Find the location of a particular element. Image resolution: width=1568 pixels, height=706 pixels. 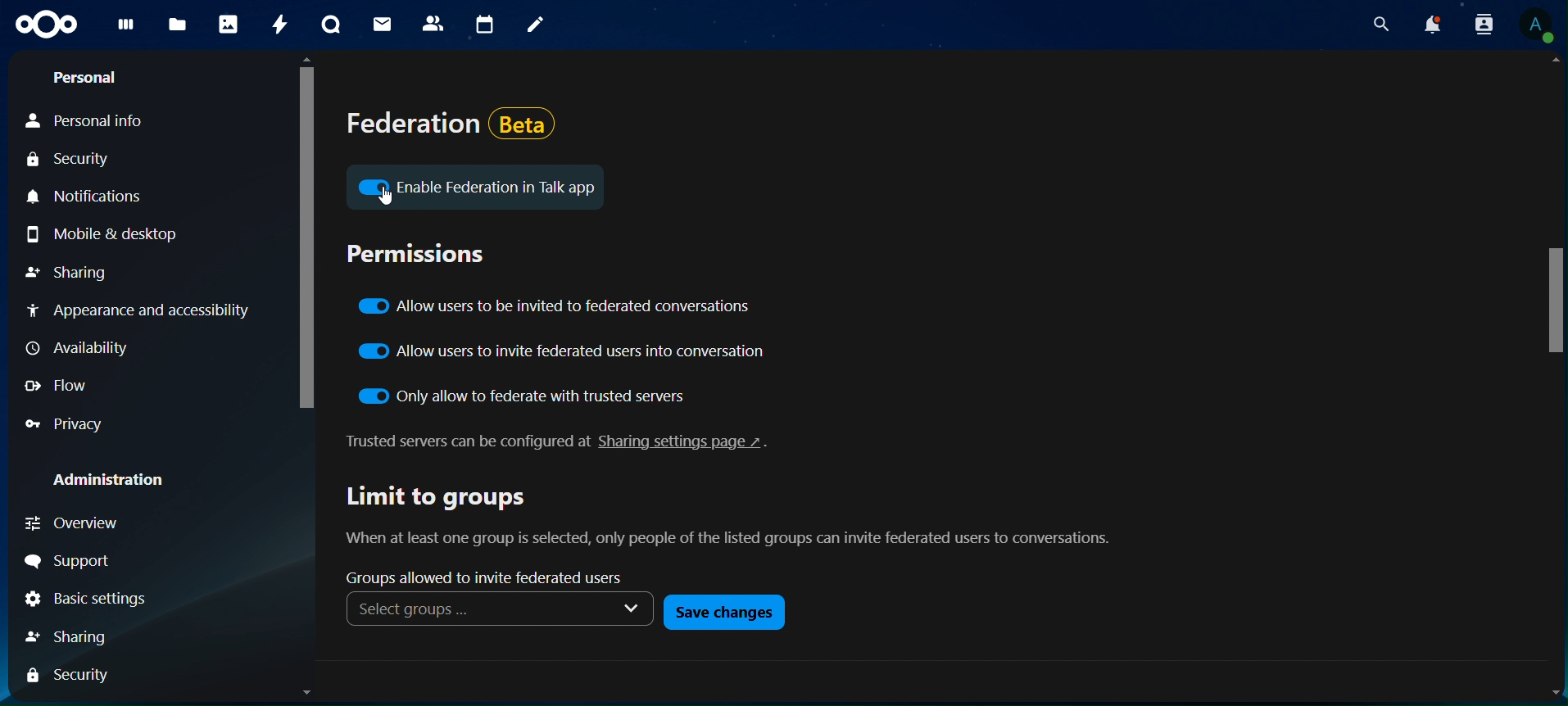

icon is located at coordinates (48, 25).